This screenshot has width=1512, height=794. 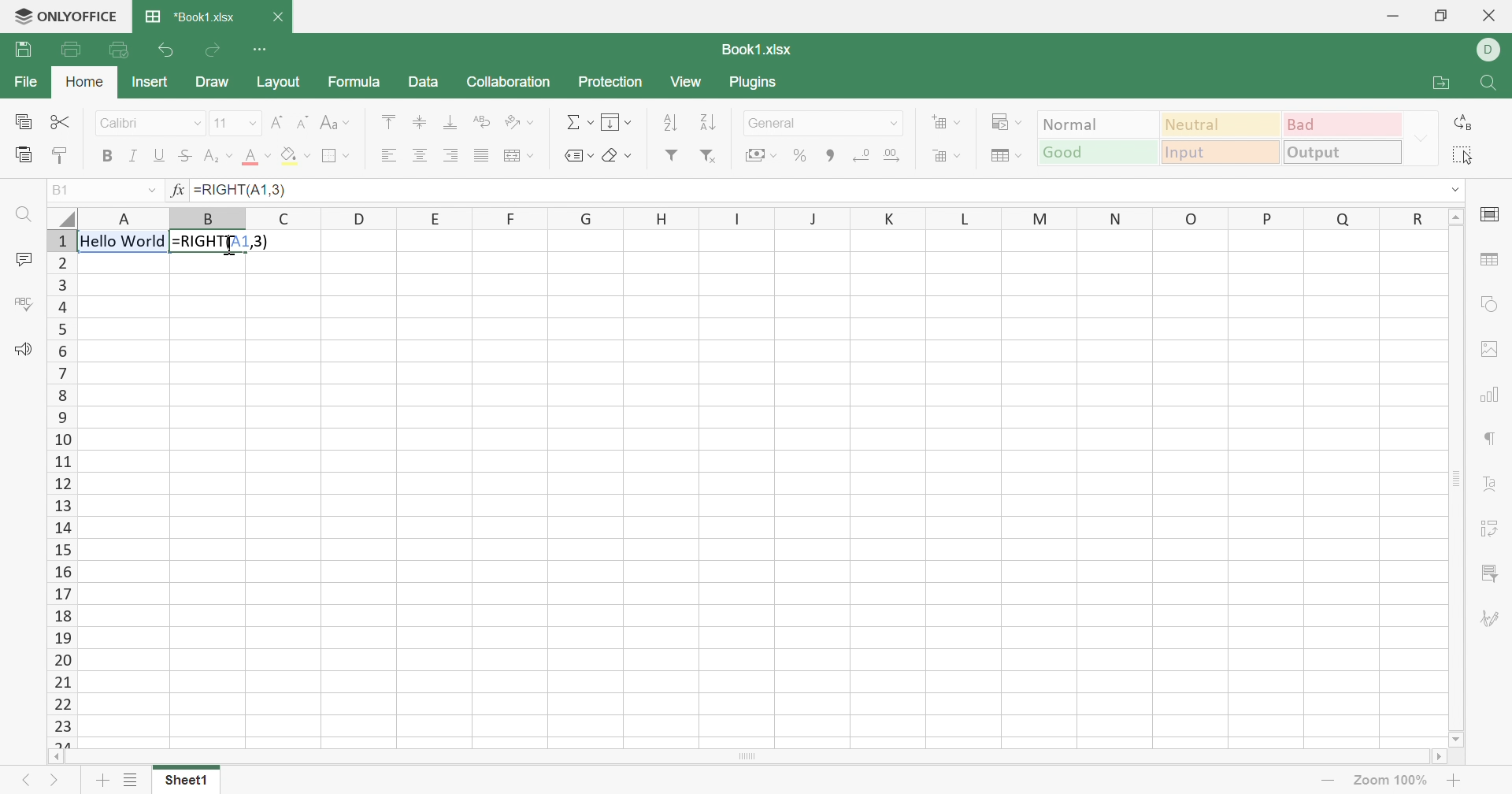 What do you see at coordinates (1004, 121) in the screenshot?
I see `Conditional formatting` at bounding box center [1004, 121].